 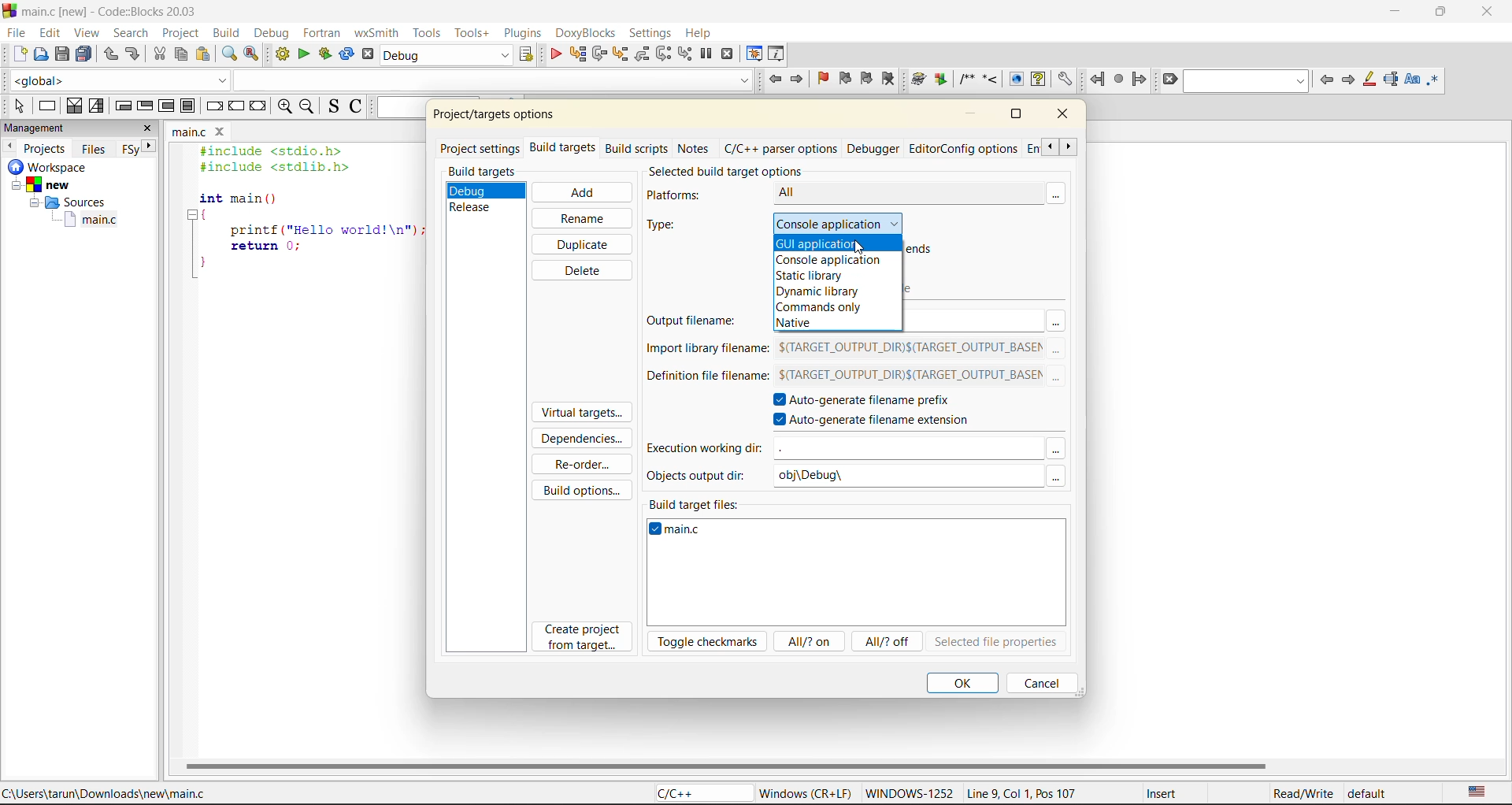 What do you see at coordinates (707, 54) in the screenshot?
I see `break debugger` at bounding box center [707, 54].